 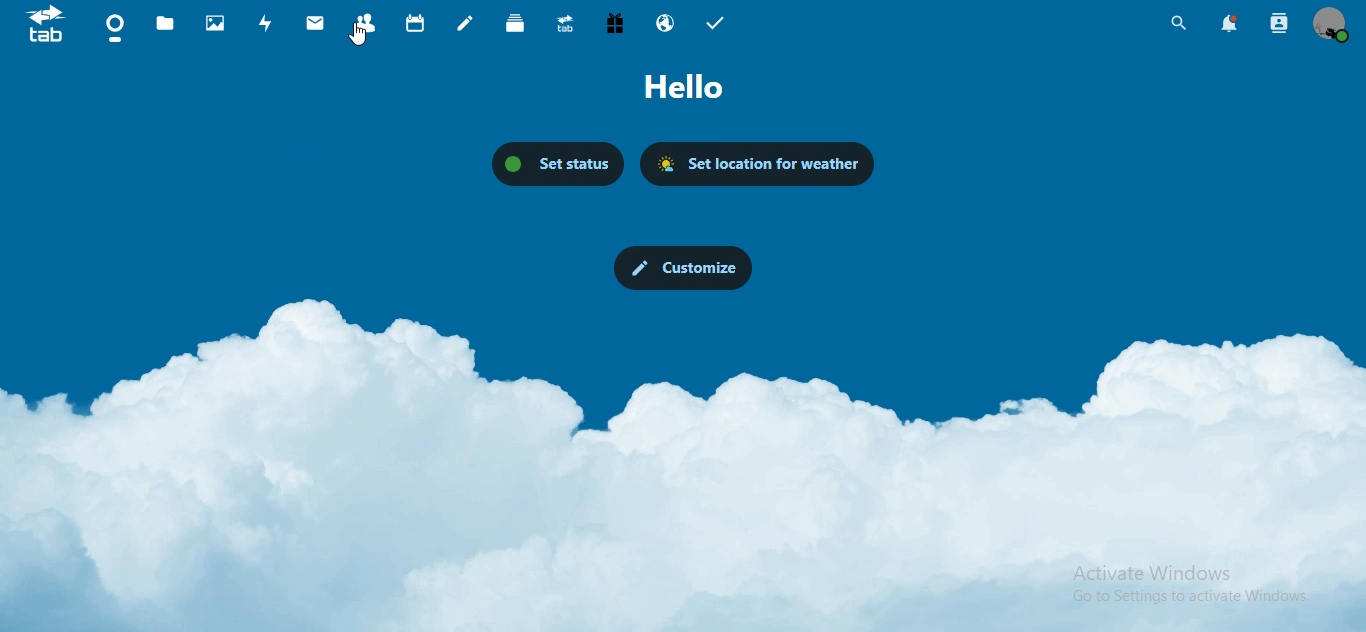 What do you see at coordinates (417, 24) in the screenshot?
I see `calendar` at bounding box center [417, 24].